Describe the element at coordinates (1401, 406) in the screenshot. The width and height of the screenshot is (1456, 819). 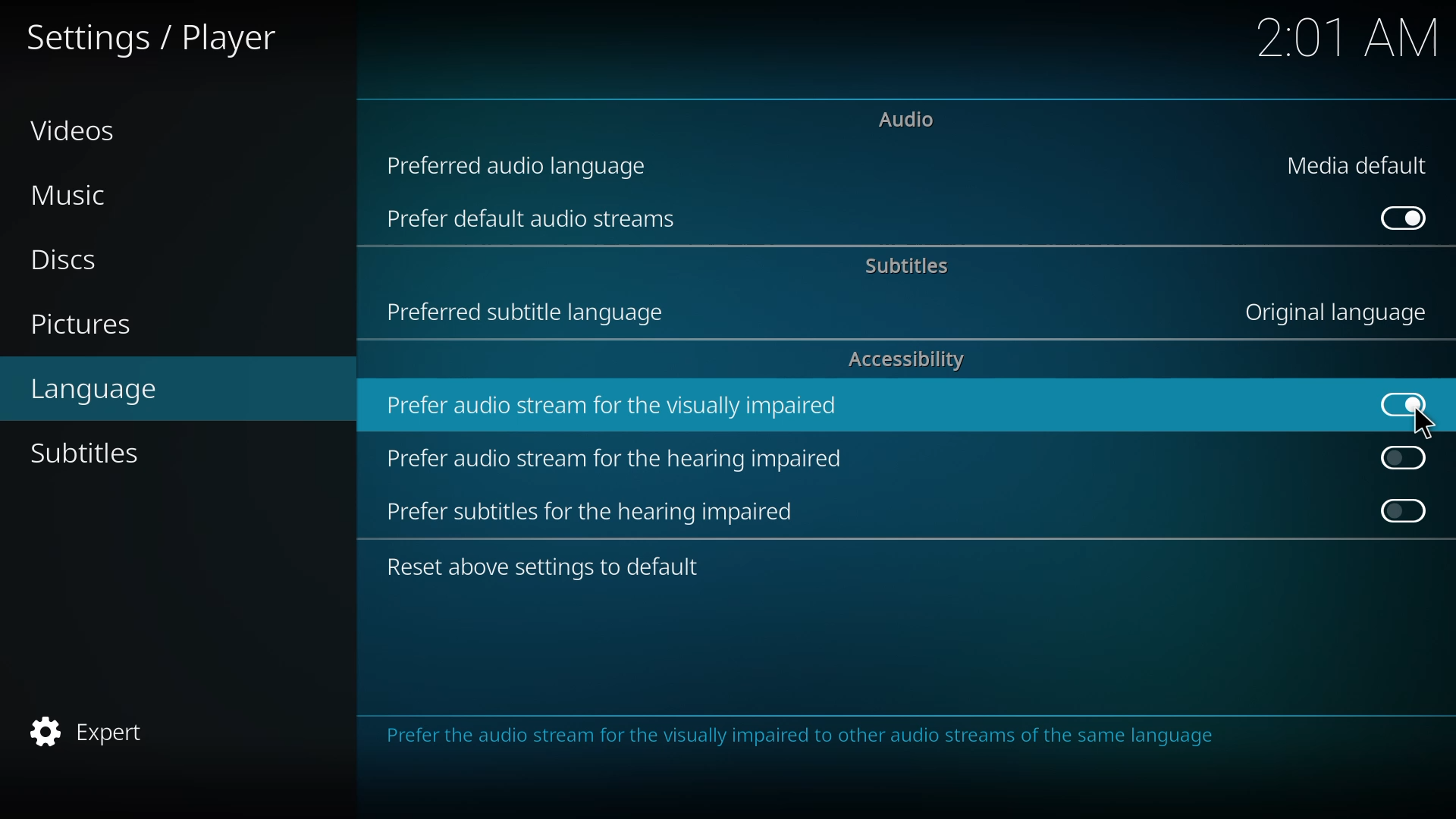
I see `enabled` at that location.